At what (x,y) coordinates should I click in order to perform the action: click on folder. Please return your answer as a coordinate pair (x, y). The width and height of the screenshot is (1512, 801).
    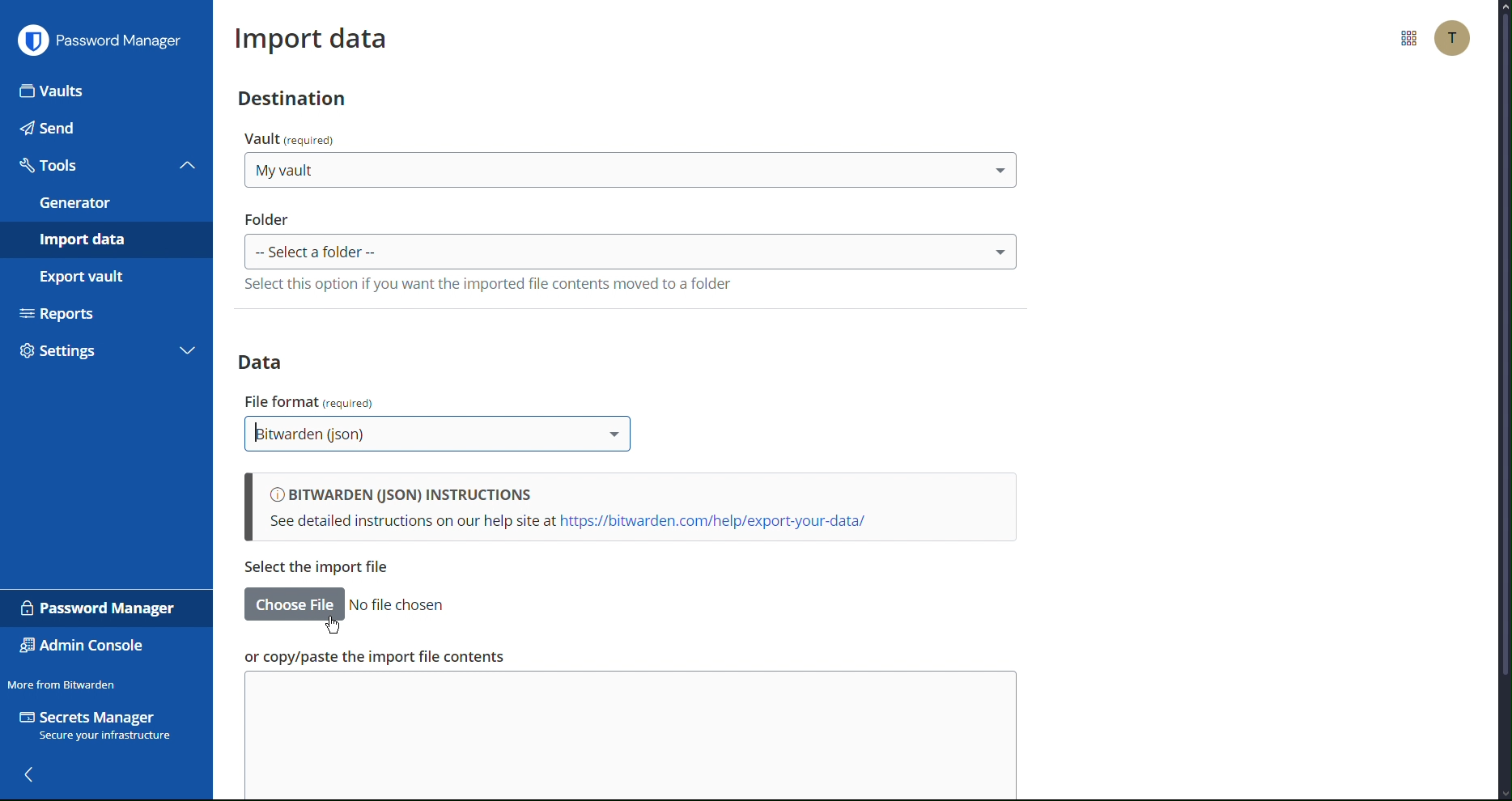
    Looking at the image, I should click on (268, 218).